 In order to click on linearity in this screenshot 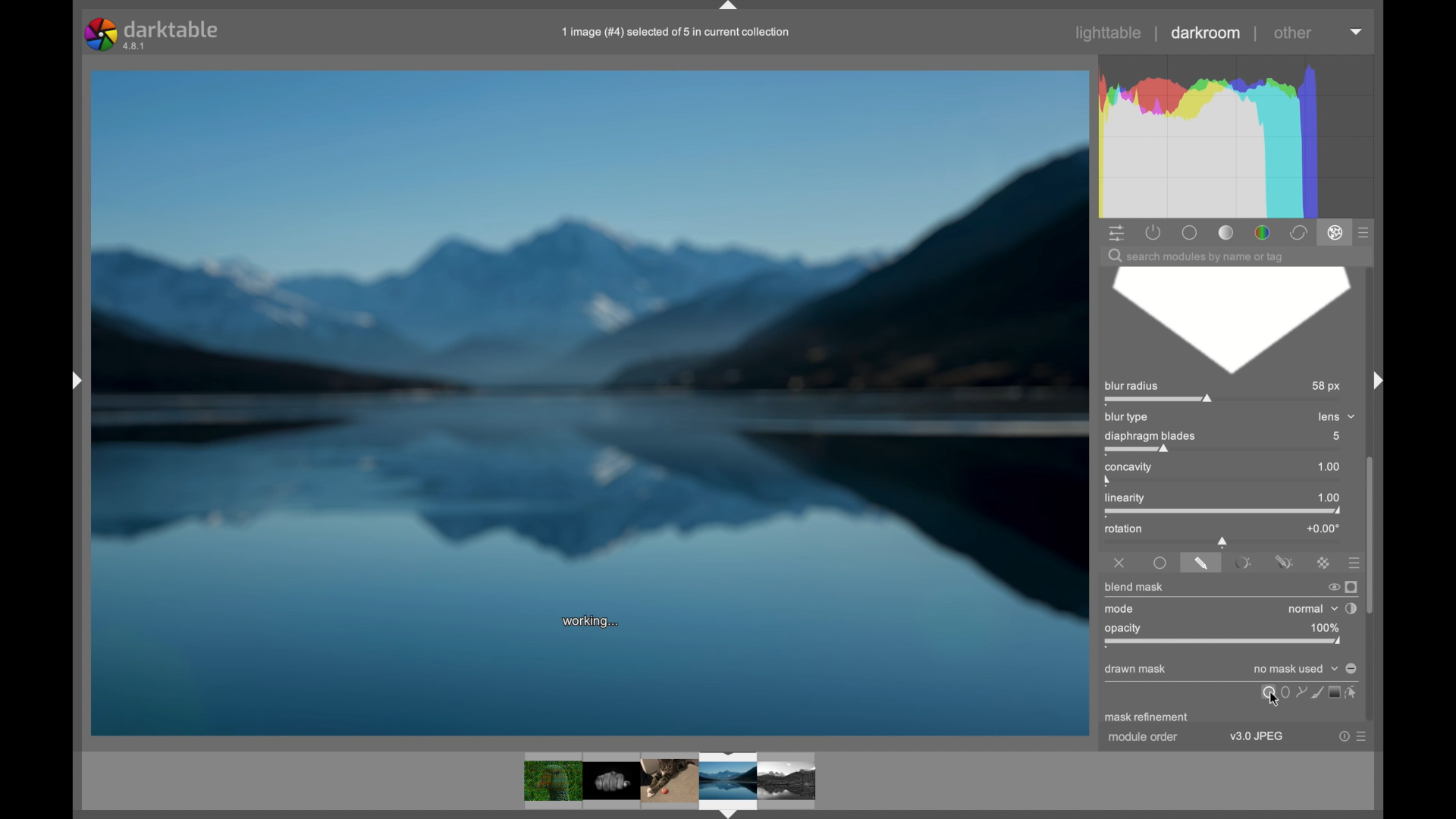, I will do `click(1134, 500)`.